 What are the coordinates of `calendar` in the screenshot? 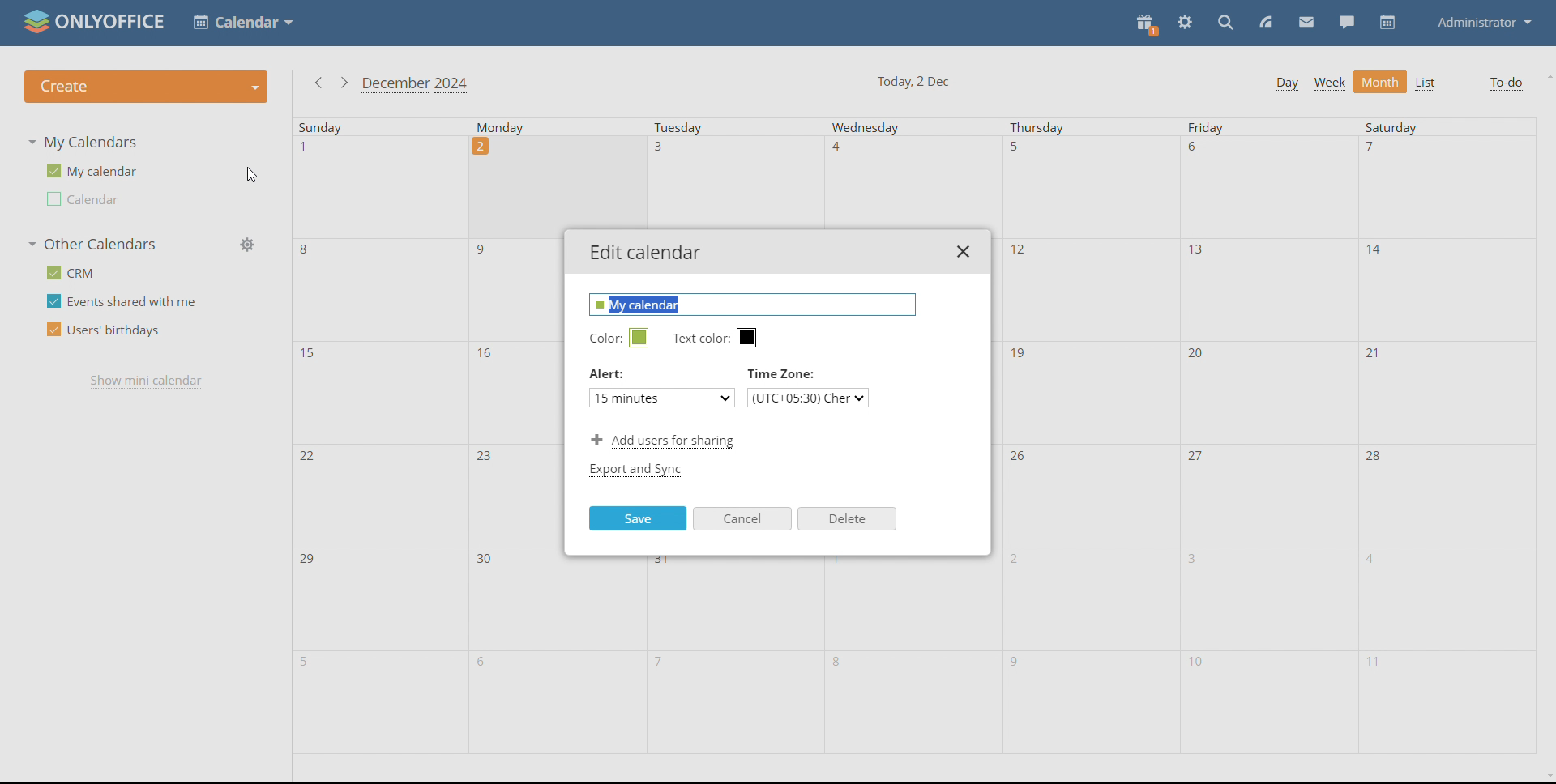 It's located at (1387, 23).